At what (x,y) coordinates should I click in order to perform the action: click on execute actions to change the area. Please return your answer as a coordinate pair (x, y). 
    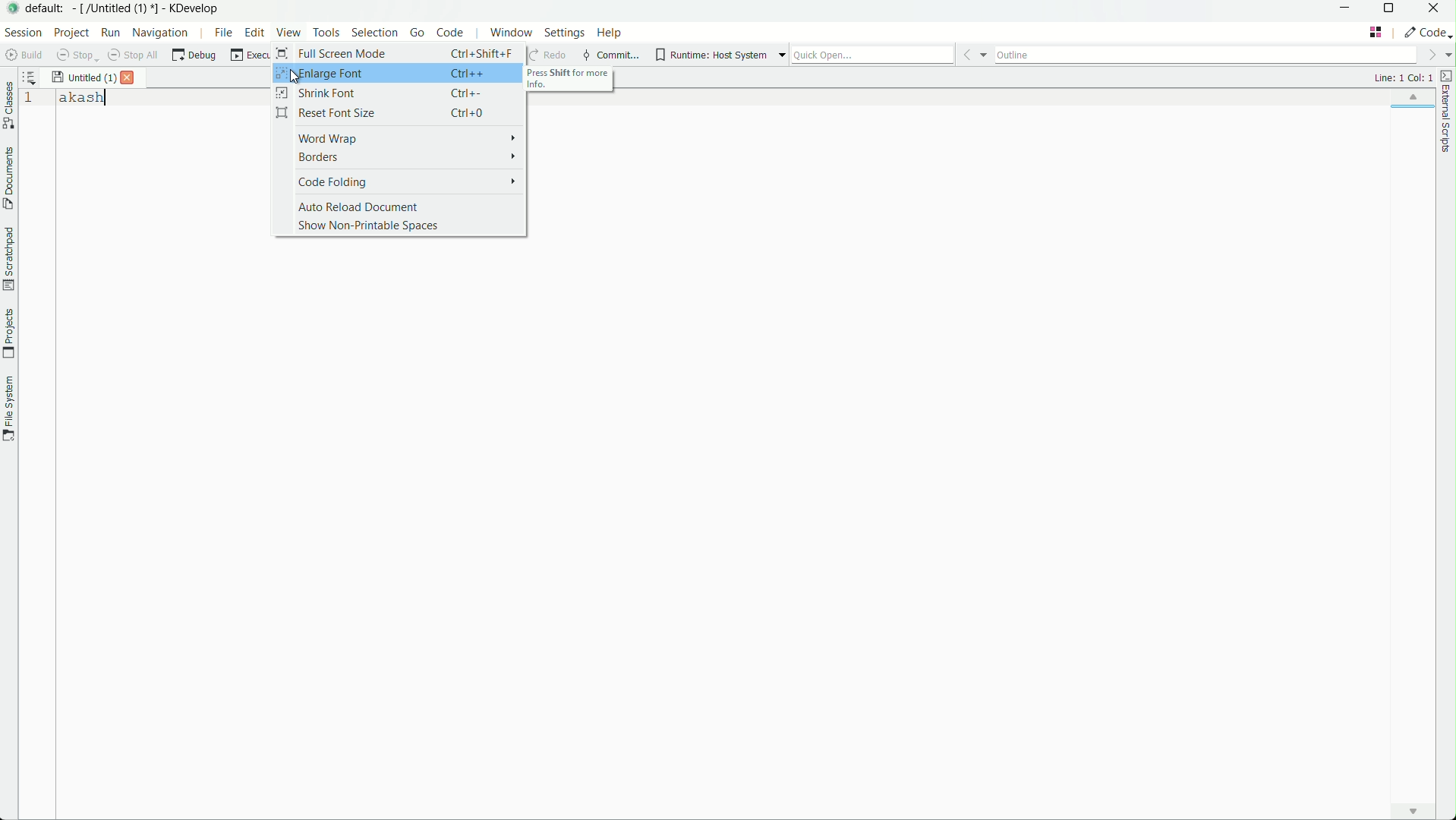
    Looking at the image, I should click on (1426, 33).